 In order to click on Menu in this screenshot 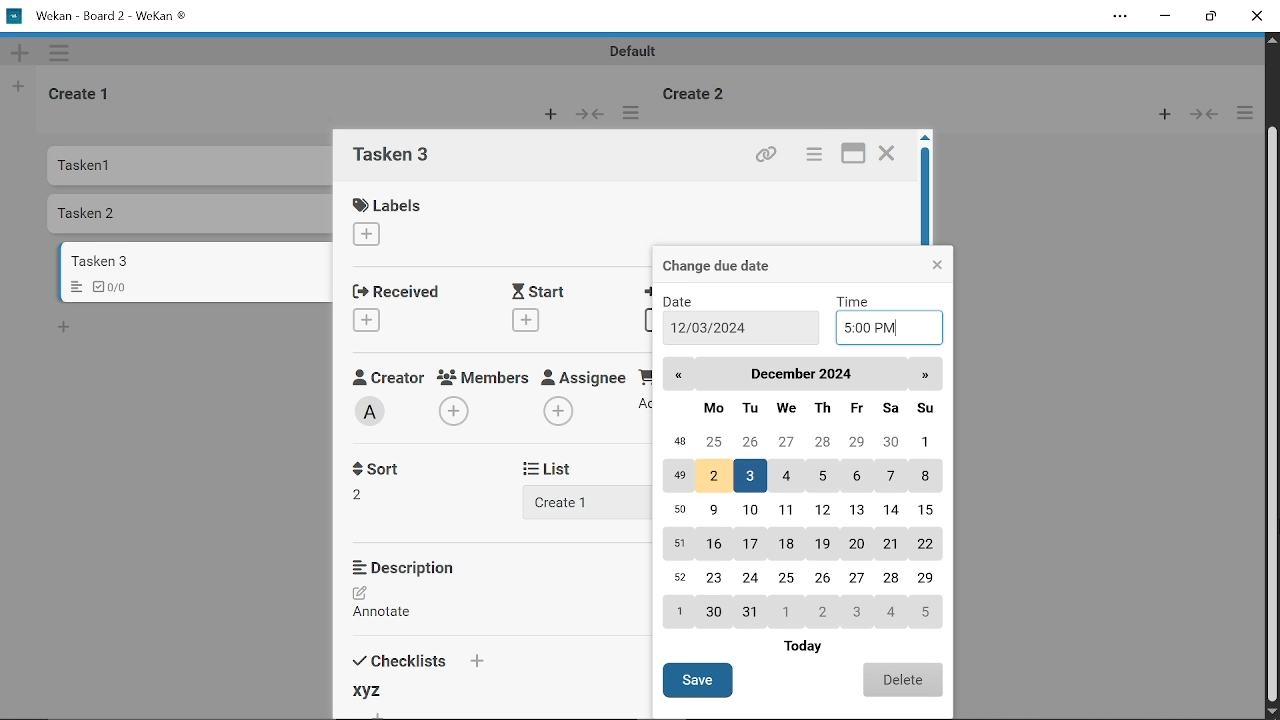, I will do `click(76, 288)`.